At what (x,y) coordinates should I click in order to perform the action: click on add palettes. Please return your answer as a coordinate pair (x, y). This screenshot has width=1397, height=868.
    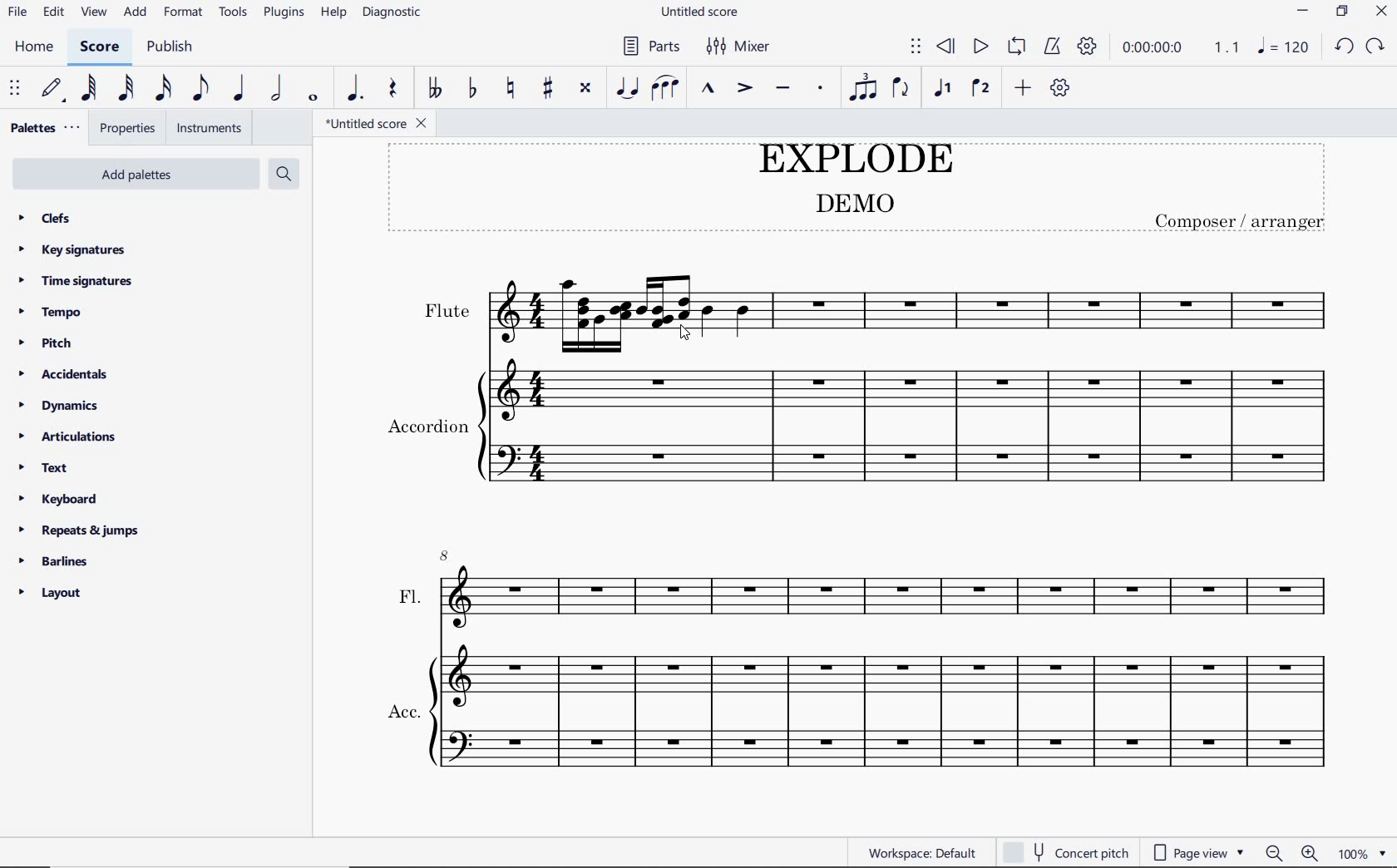
    Looking at the image, I should click on (133, 175).